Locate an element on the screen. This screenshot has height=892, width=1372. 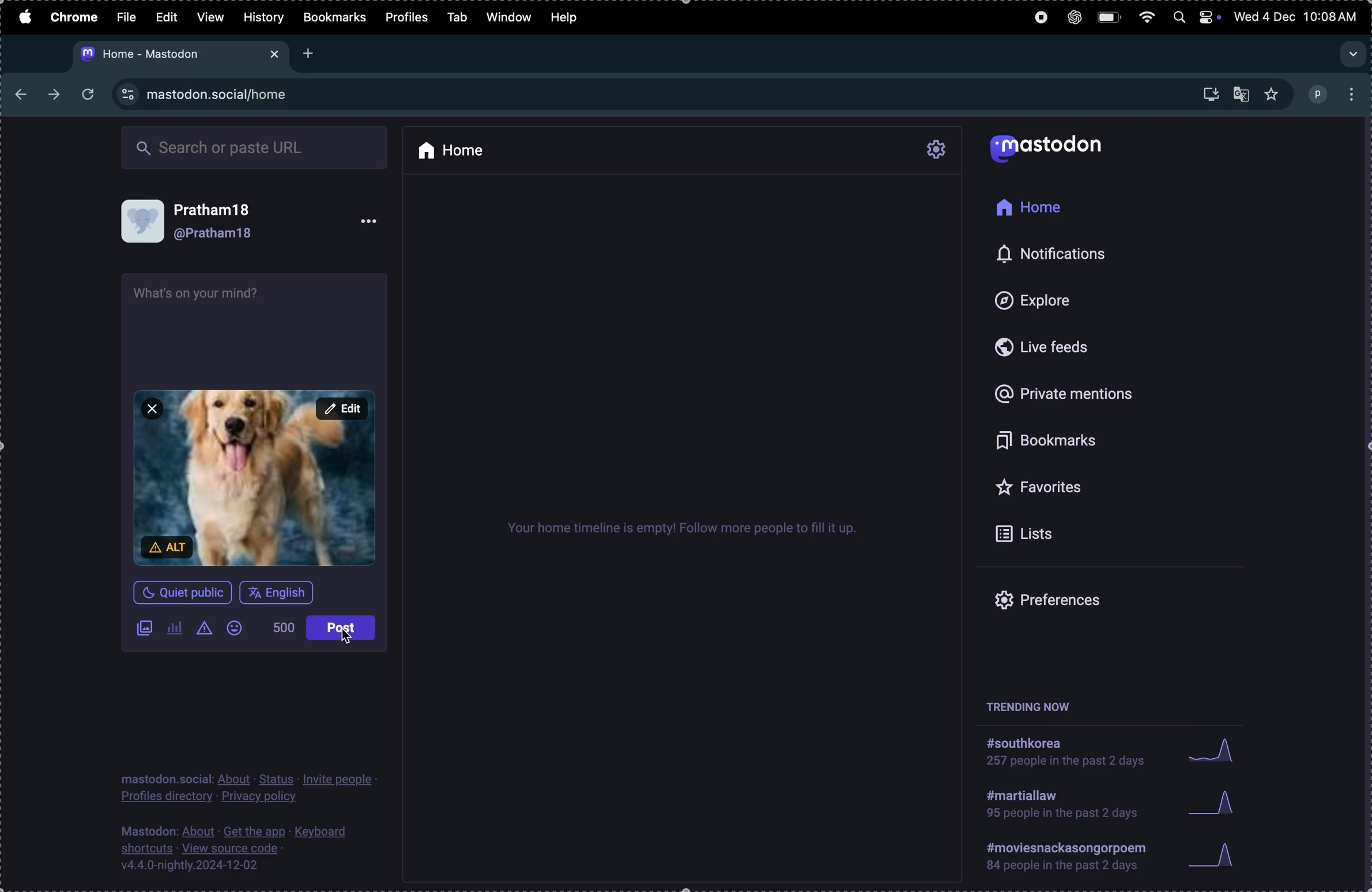
nexttab is located at coordinates (55, 95).